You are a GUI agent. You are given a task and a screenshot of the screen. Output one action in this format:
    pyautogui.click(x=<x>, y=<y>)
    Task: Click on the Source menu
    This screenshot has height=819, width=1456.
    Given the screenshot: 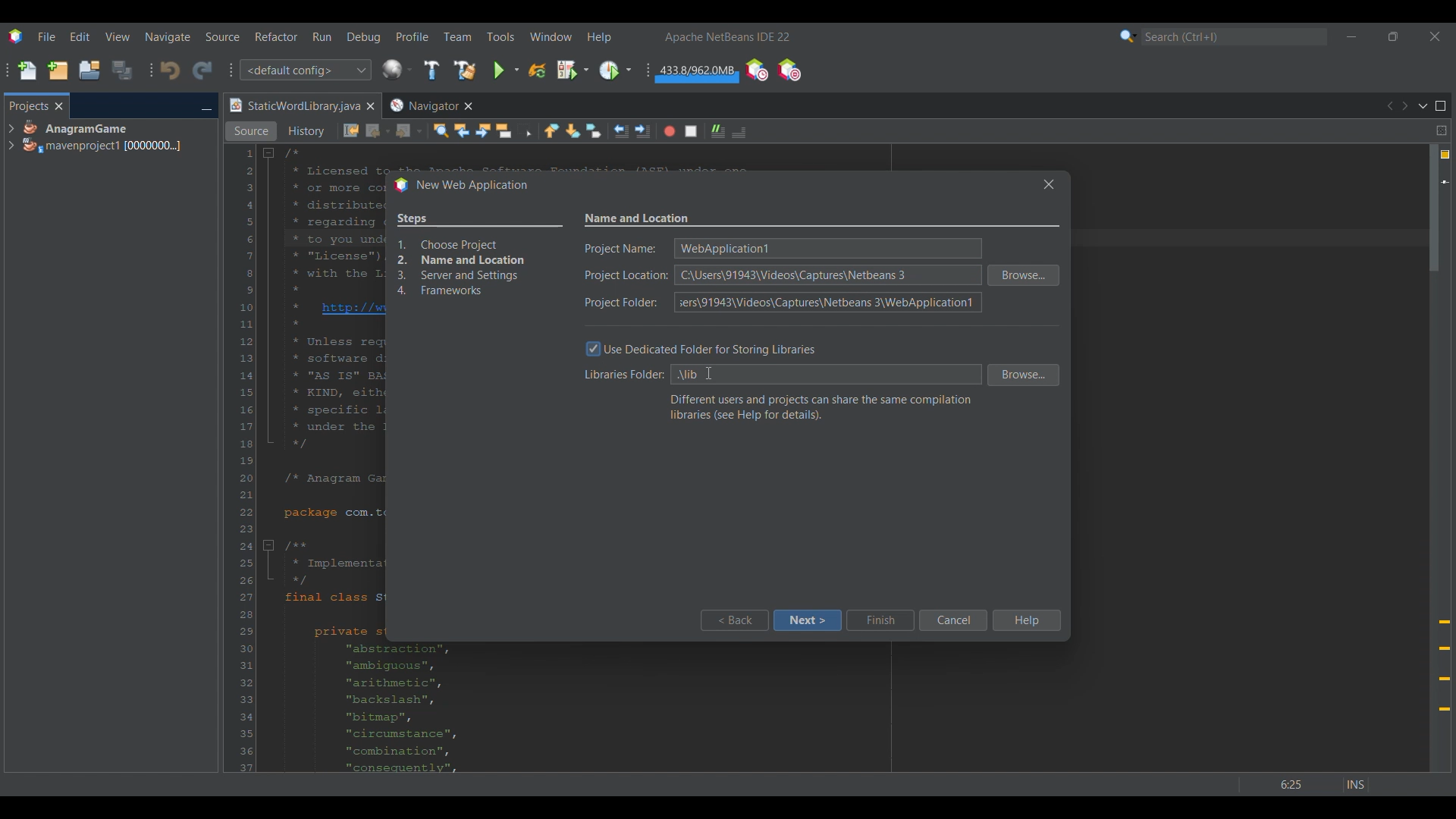 What is the action you would take?
    pyautogui.click(x=223, y=36)
    